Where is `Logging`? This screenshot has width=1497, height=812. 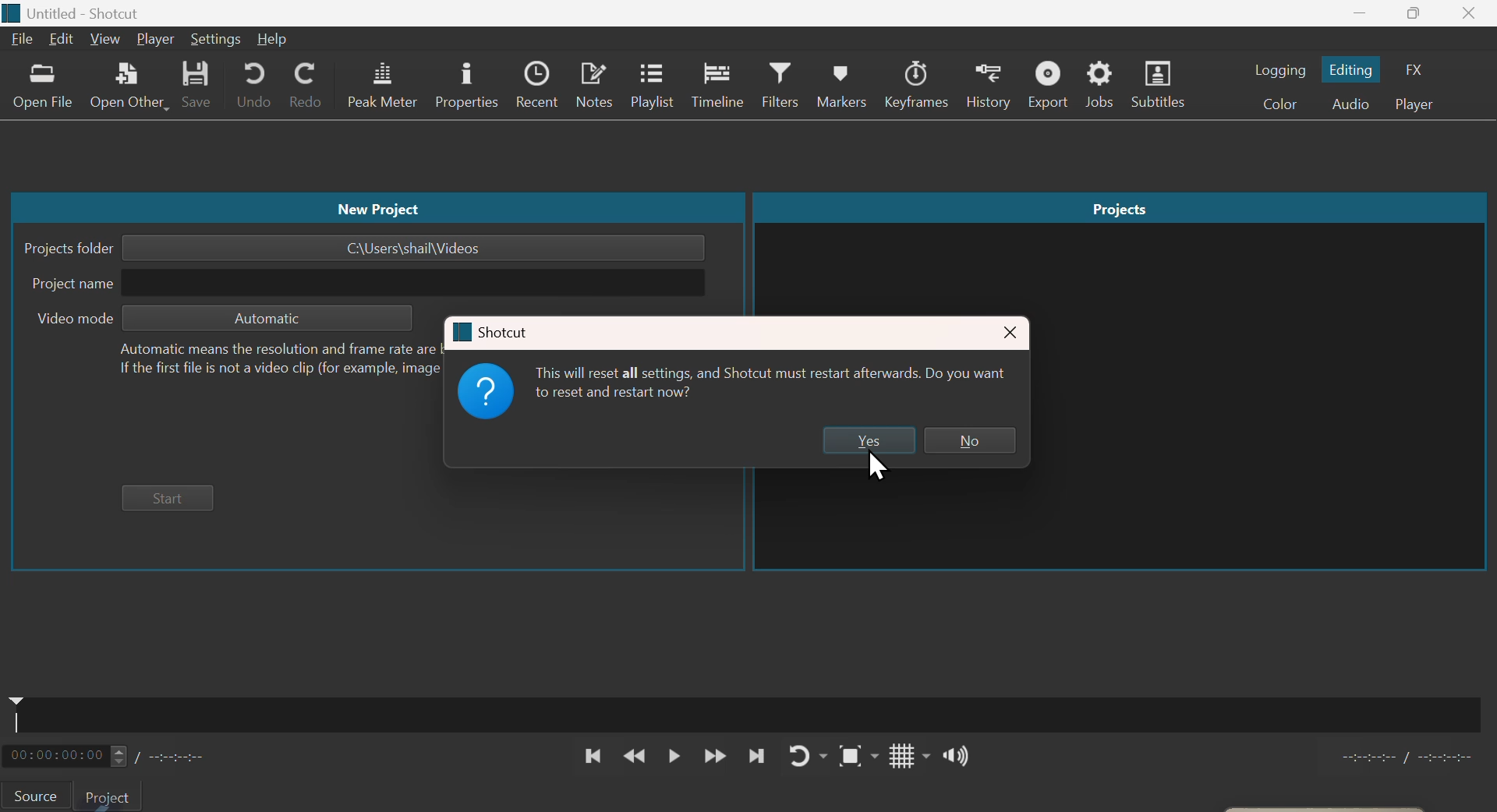 Logging is located at coordinates (1279, 69).